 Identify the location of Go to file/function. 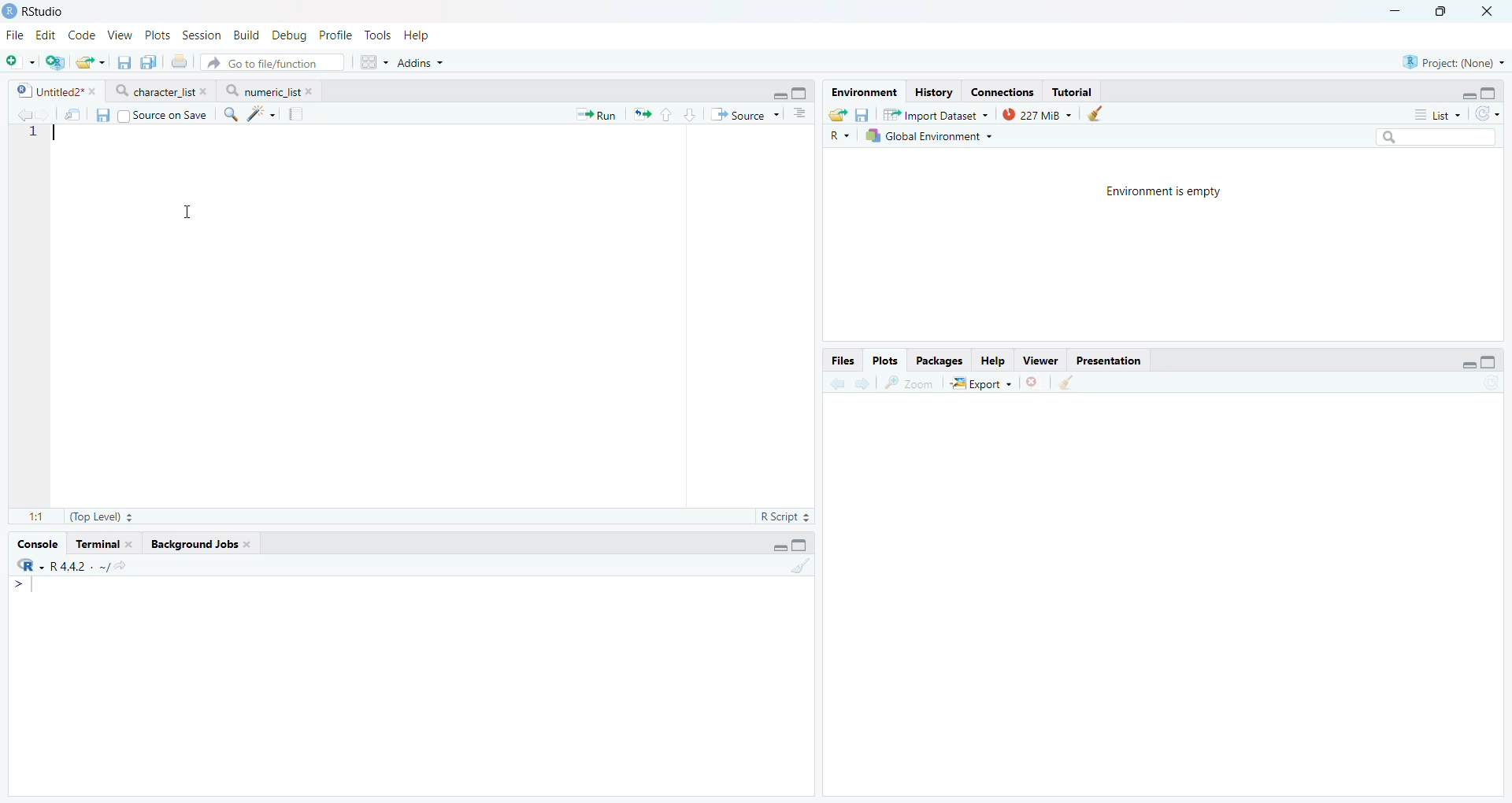
(272, 62).